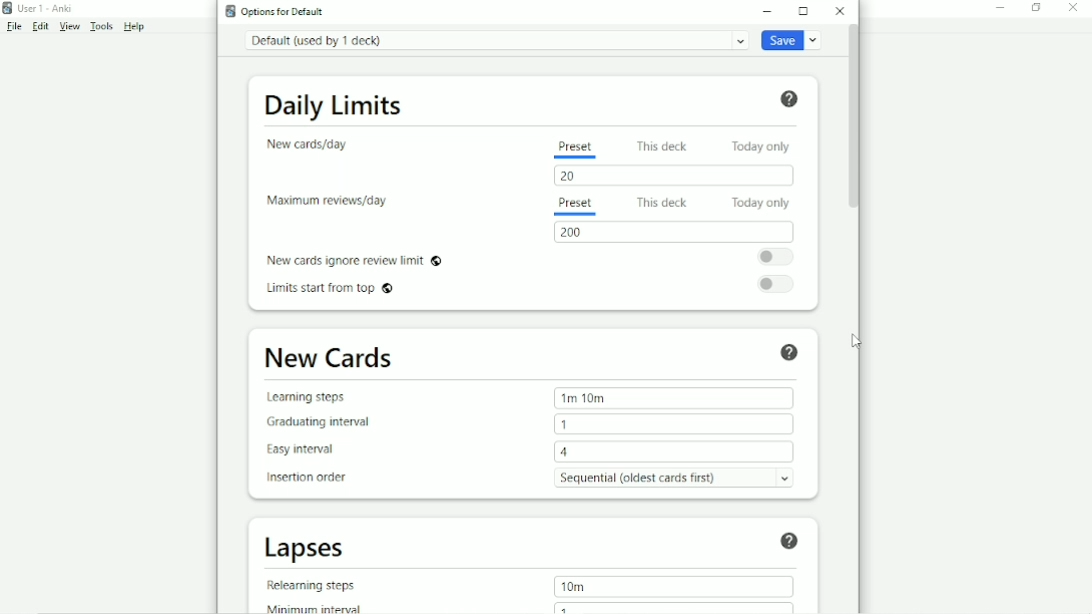 The width and height of the screenshot is (1092, 614). What do you see at coordinates (662, 145) in the screenshot?
I see `This deck` at bounding box center [662, 145].